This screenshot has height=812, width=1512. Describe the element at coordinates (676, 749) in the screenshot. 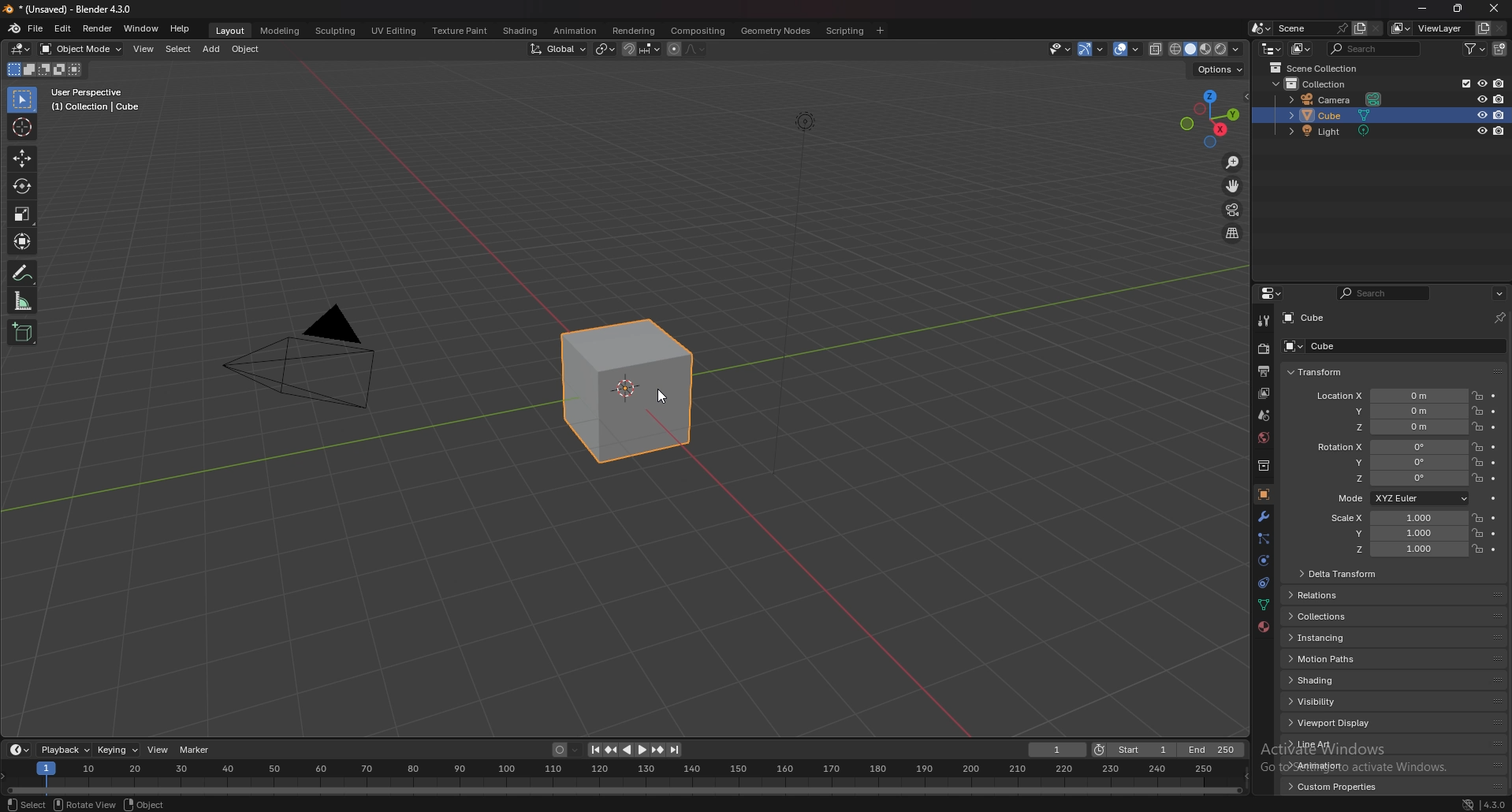

I see `jump to endpoint` at that location.